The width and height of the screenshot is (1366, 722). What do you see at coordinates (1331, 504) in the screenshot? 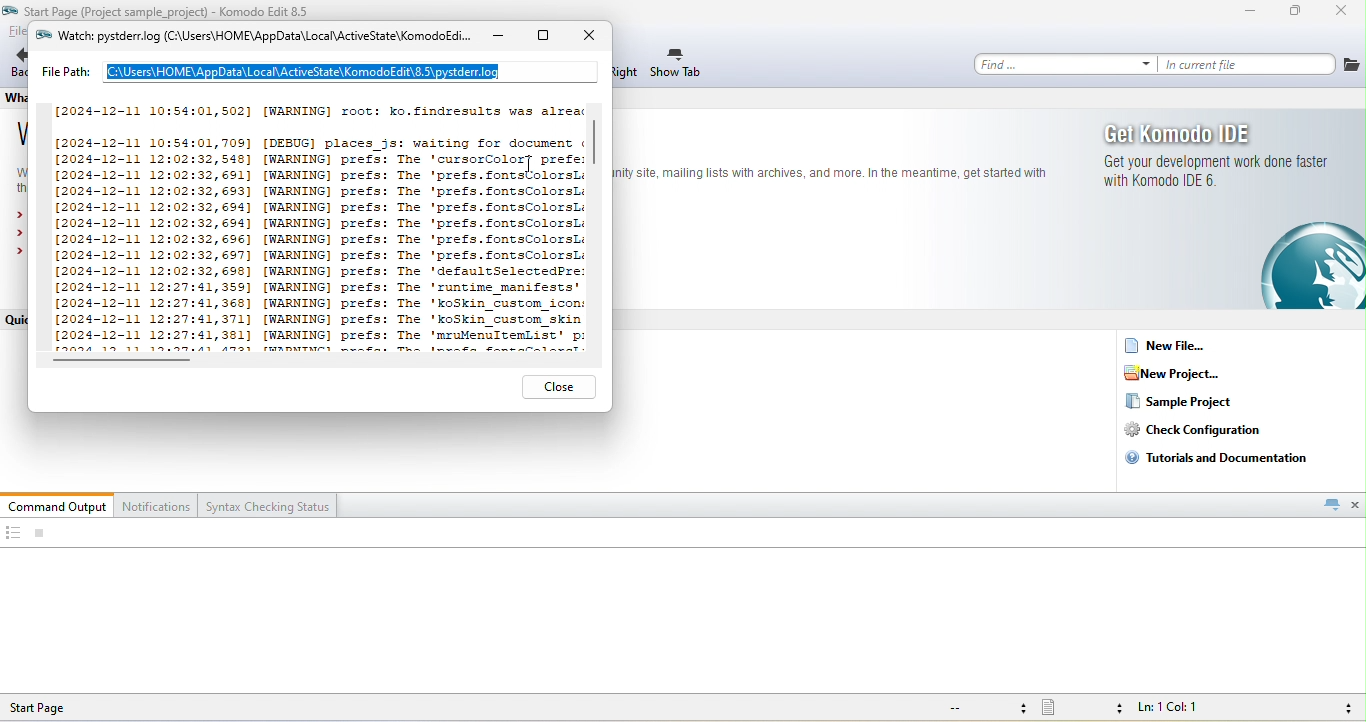
I see `tab` at bounding box center [1331, 504].